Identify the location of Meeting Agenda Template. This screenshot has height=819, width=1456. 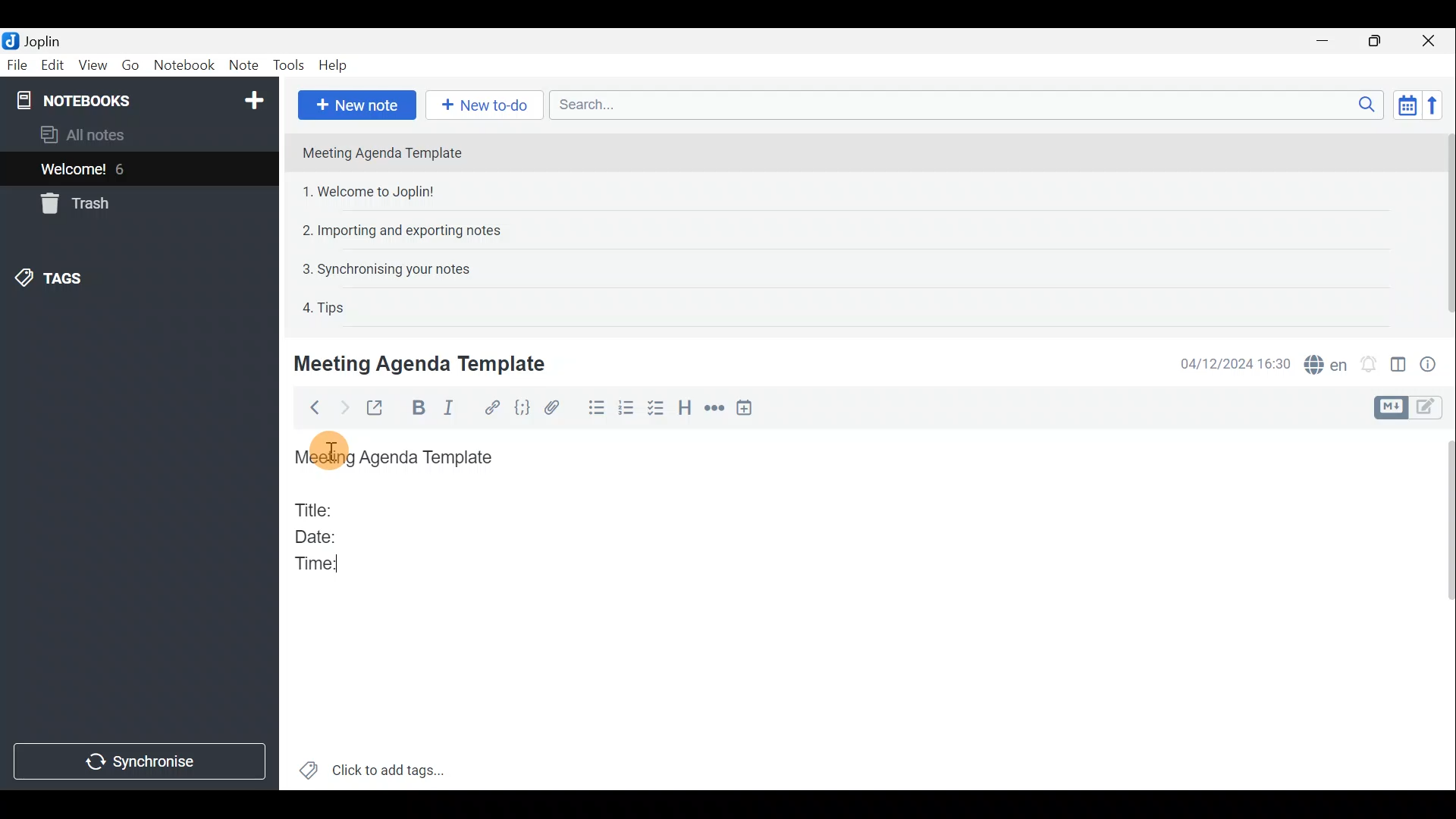
(384, 152).